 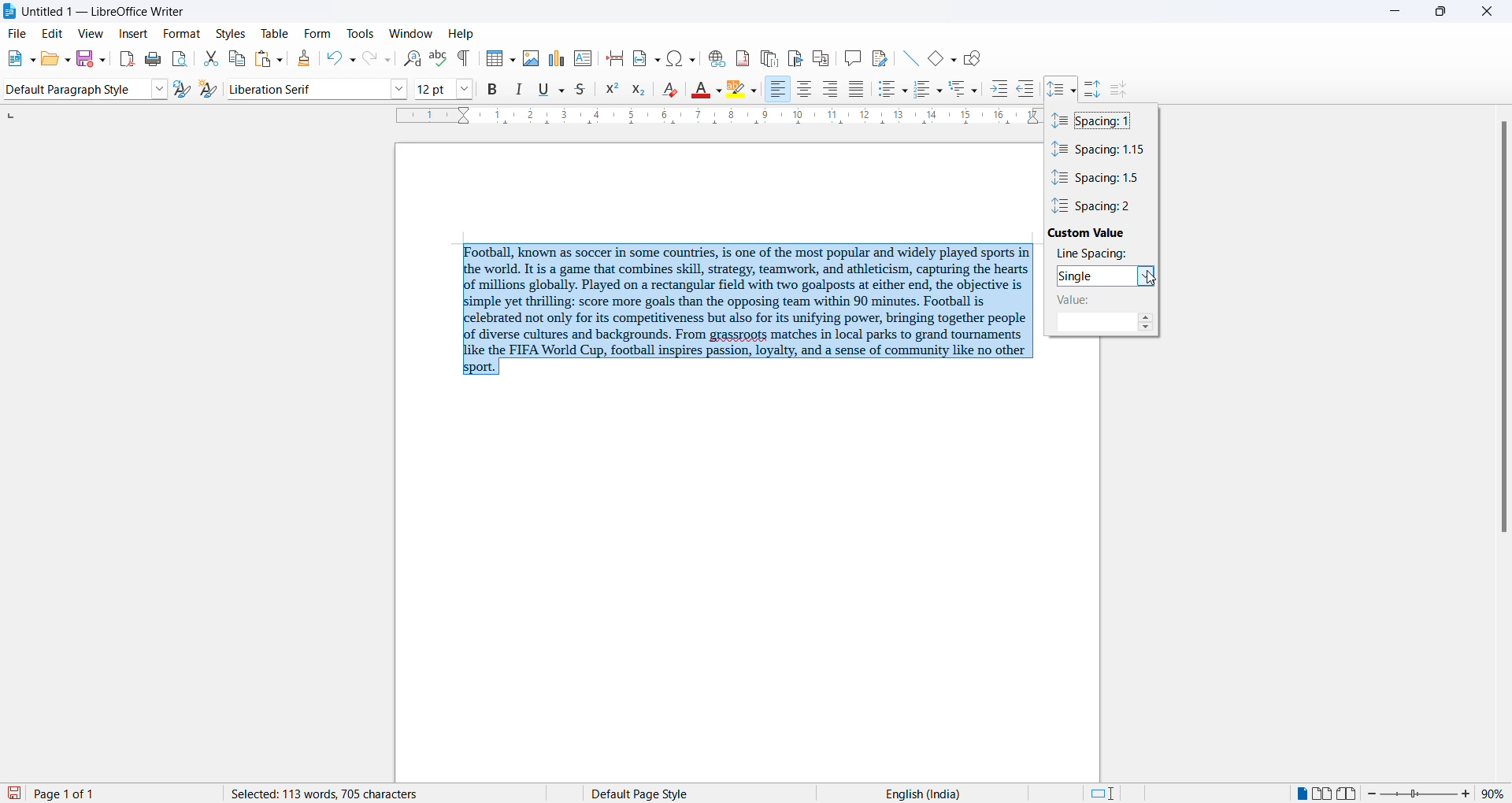 I want to click on superscript, so click(x=613, y=90).